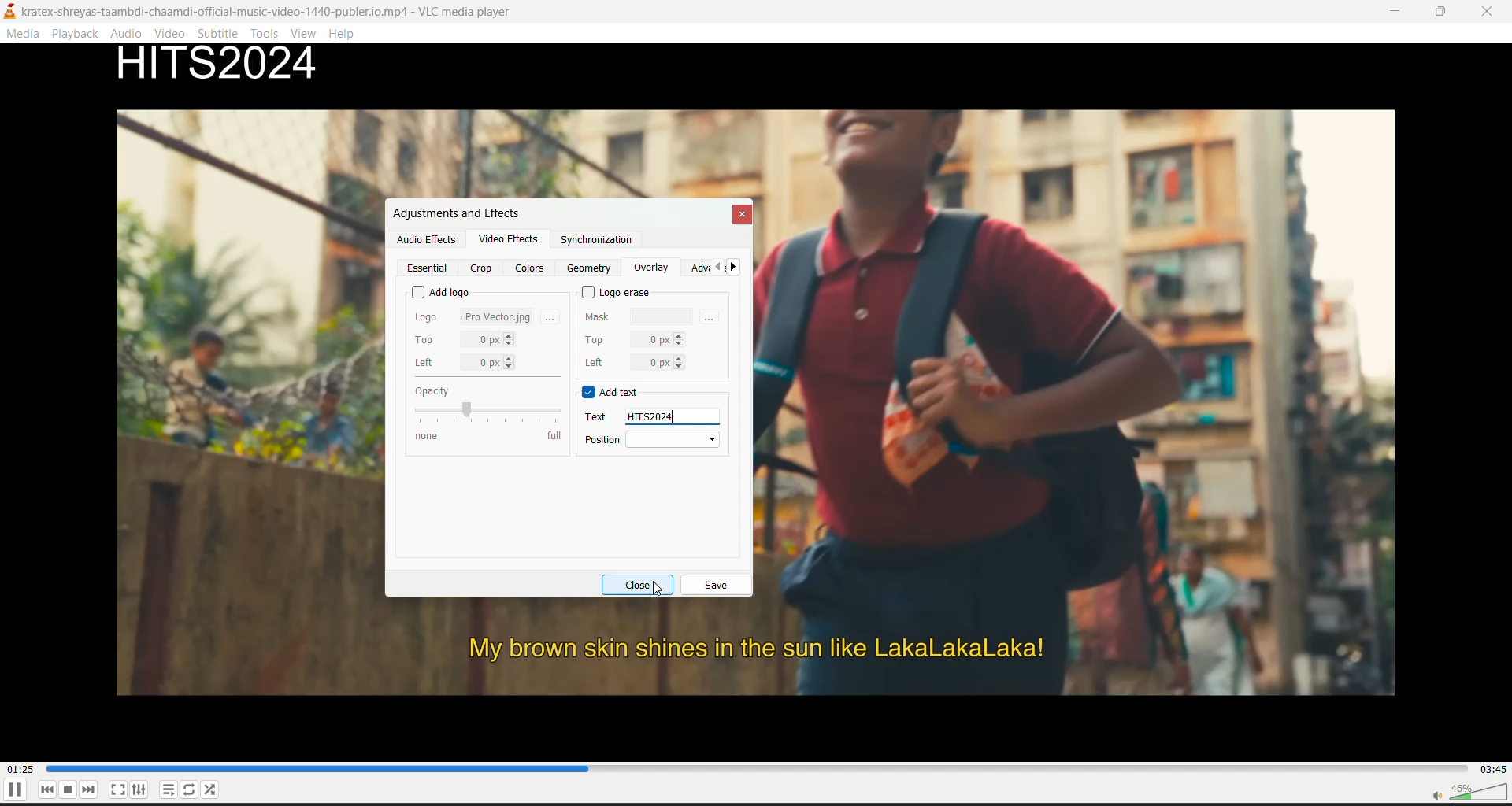  What do you see at coordinates (756, 767) in the screenshot?
I see `track slider` at bounding box center [756, 767].